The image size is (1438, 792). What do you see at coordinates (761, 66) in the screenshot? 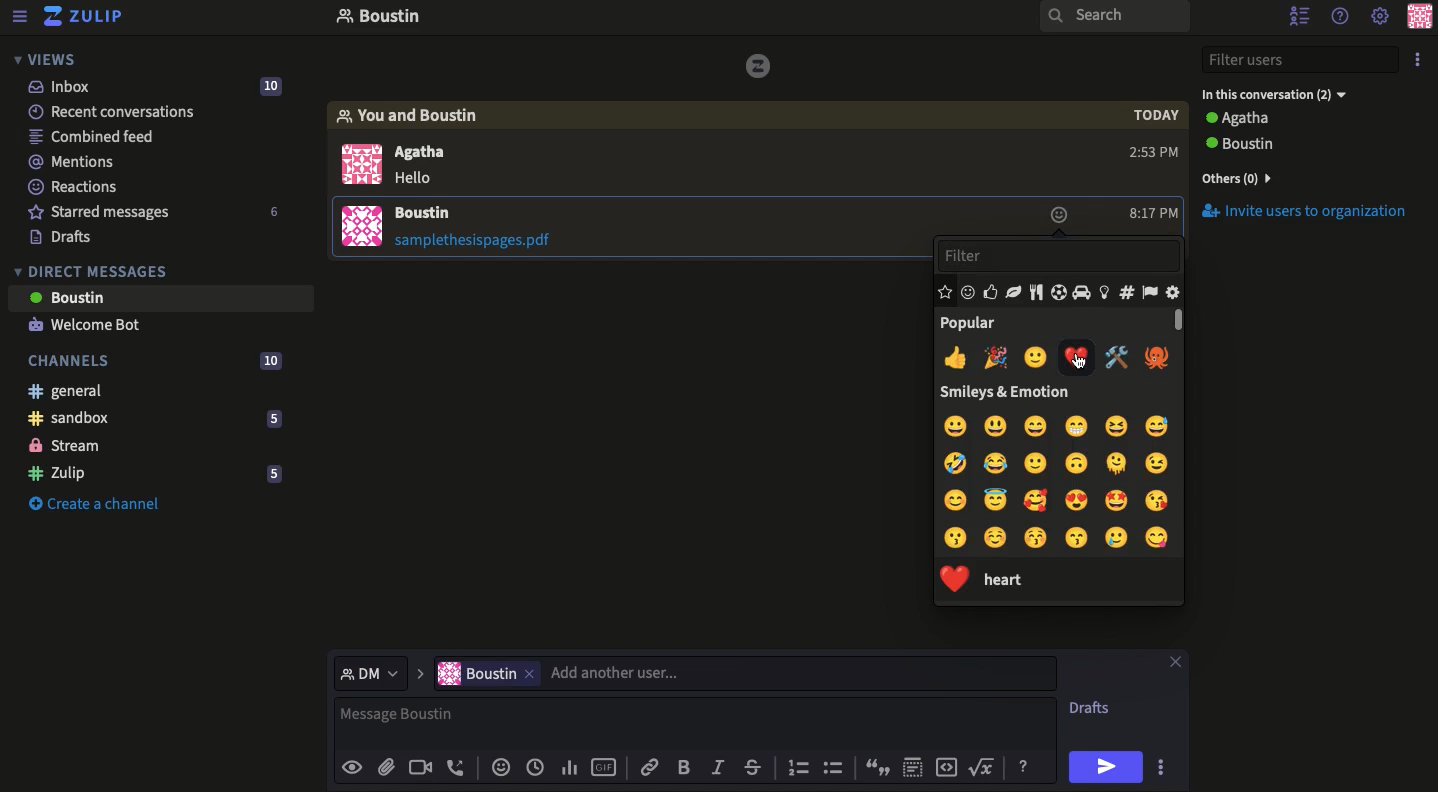
I see `image` at bounding box center [761, 66].